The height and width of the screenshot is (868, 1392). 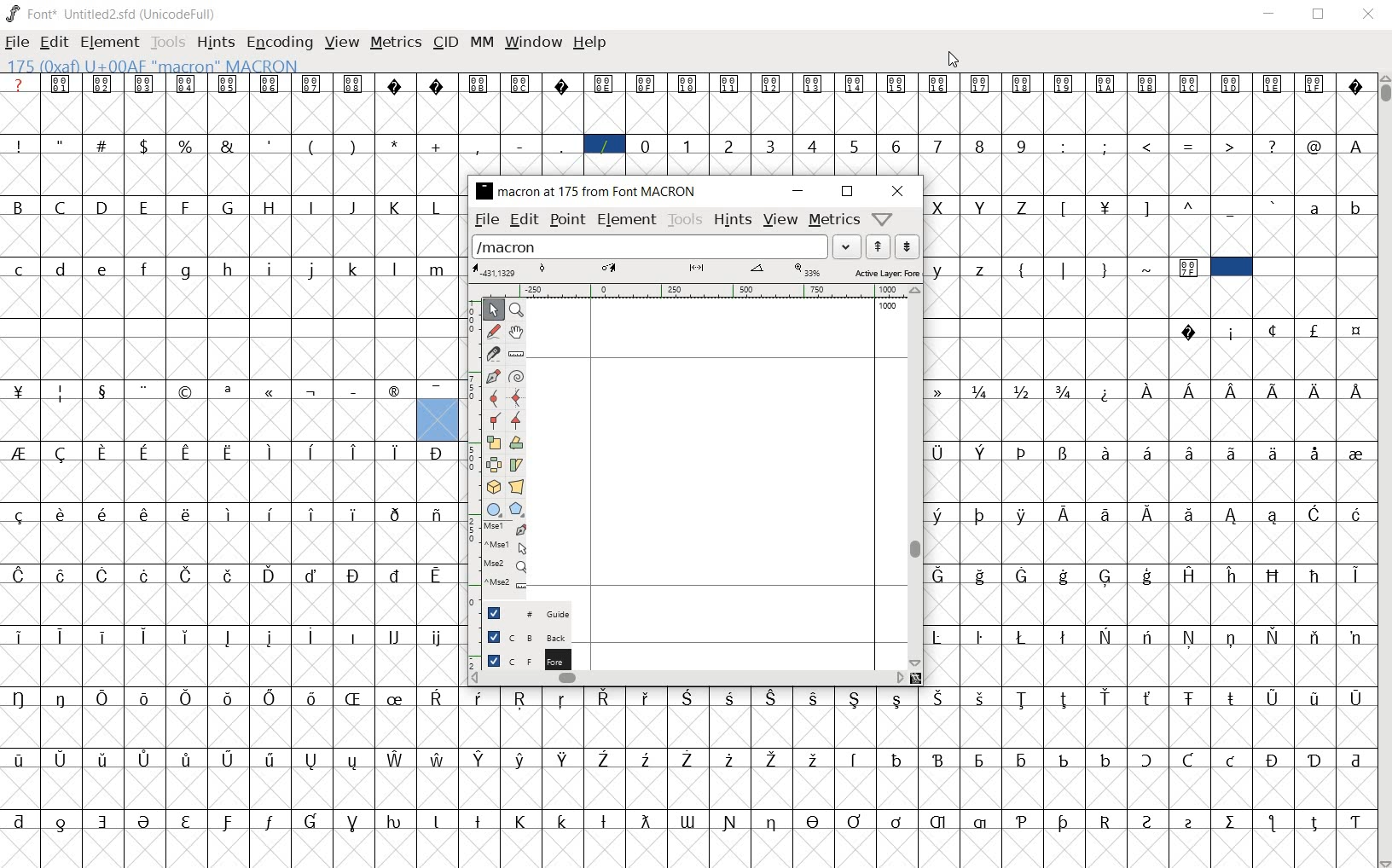 What do you see at coordinates (229, 390) in the screenshot?
I see `Symbol` at bounding box center [229, 390].